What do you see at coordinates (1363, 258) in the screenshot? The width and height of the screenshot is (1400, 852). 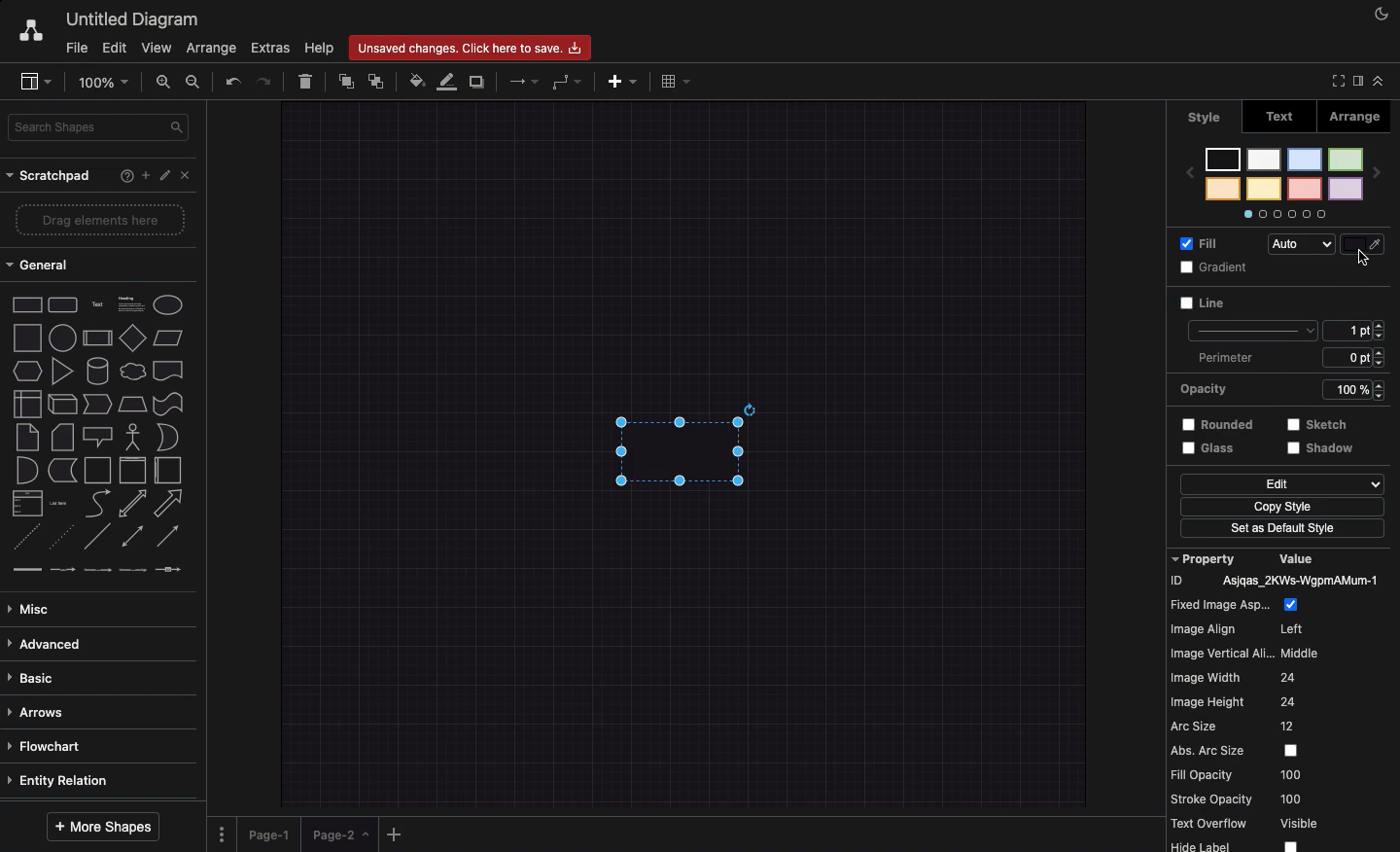 I see `Cursor` at bounding box center [1363, 258].